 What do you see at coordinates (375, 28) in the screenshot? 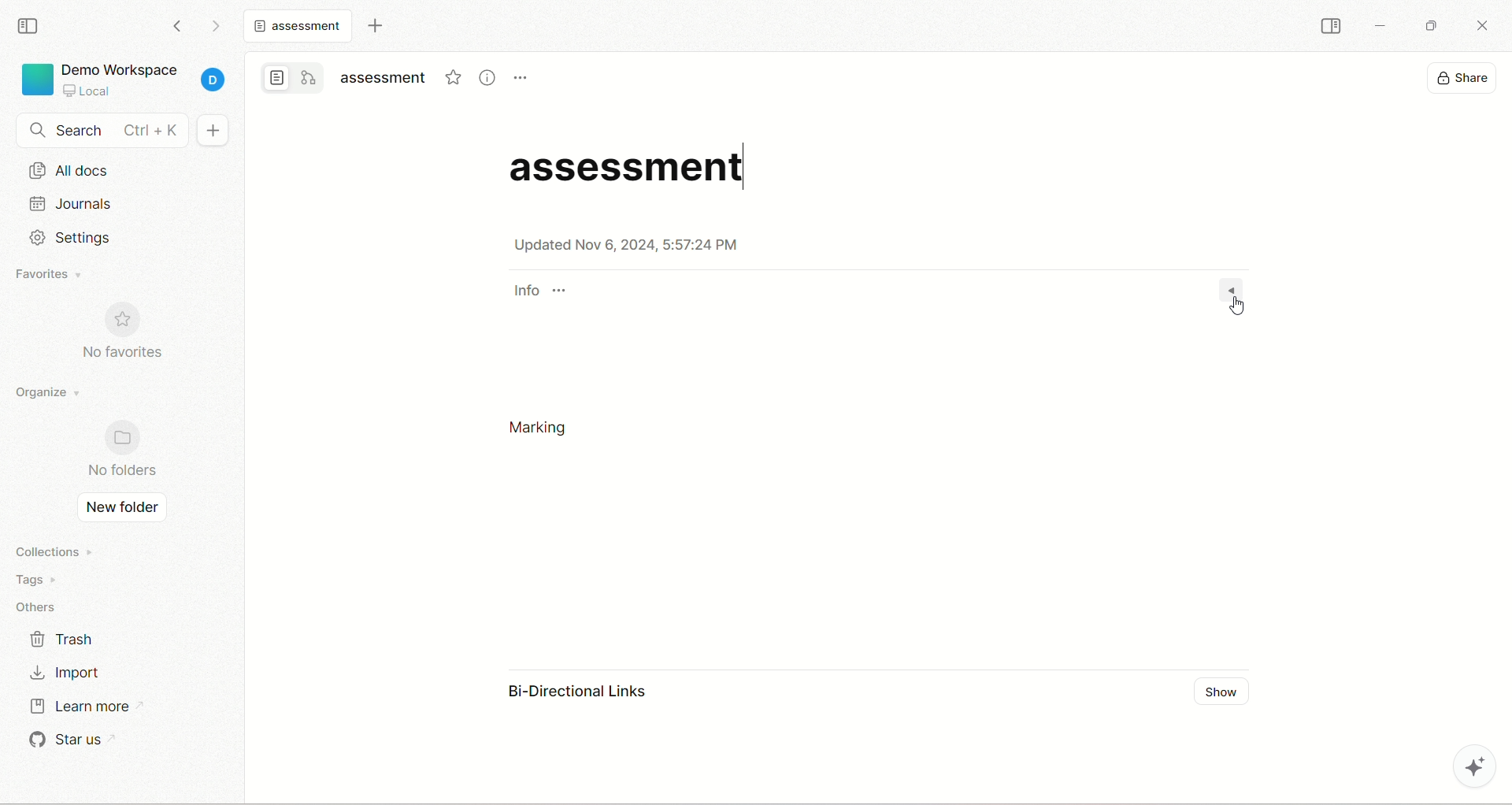
I see `new tab` at bounding box center [375, 28].